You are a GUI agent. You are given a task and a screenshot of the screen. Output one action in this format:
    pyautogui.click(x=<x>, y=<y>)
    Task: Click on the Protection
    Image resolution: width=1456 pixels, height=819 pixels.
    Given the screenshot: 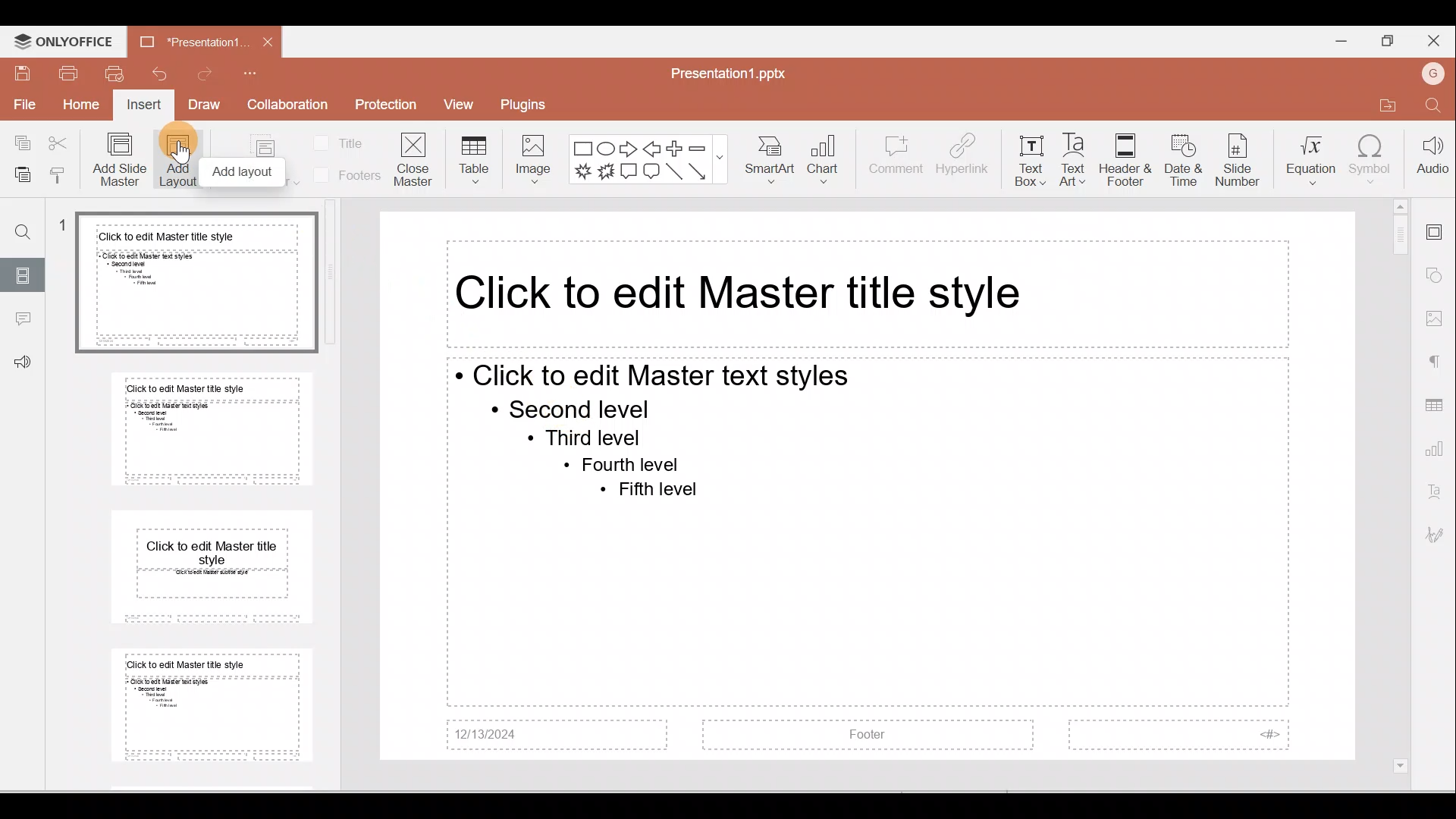 What is the action you would take?
    pyautogui.click(x=387, y=106)
    